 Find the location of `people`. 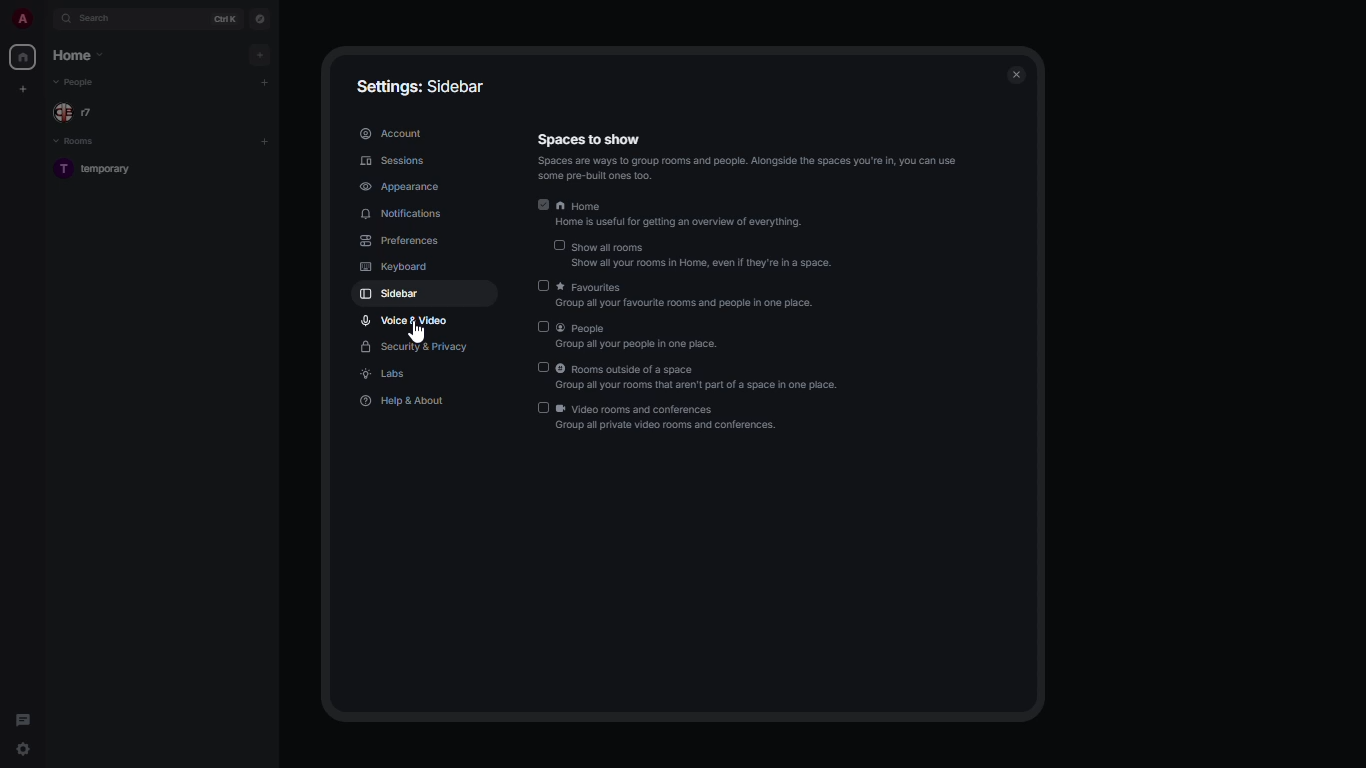

people is located at coordinates (77, 82).